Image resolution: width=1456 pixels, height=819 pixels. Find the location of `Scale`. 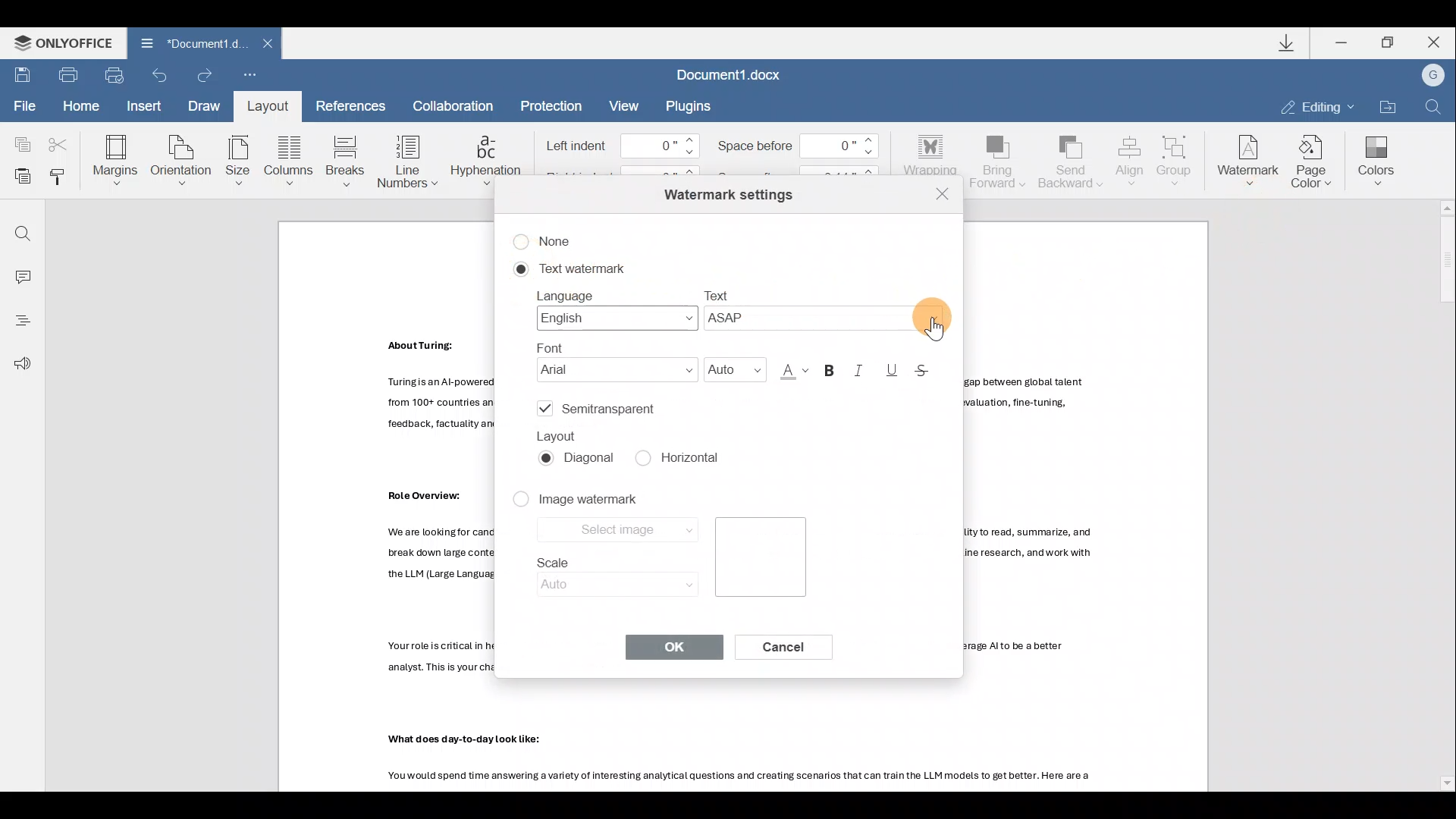

Scale is located at coordinates (607, 576).